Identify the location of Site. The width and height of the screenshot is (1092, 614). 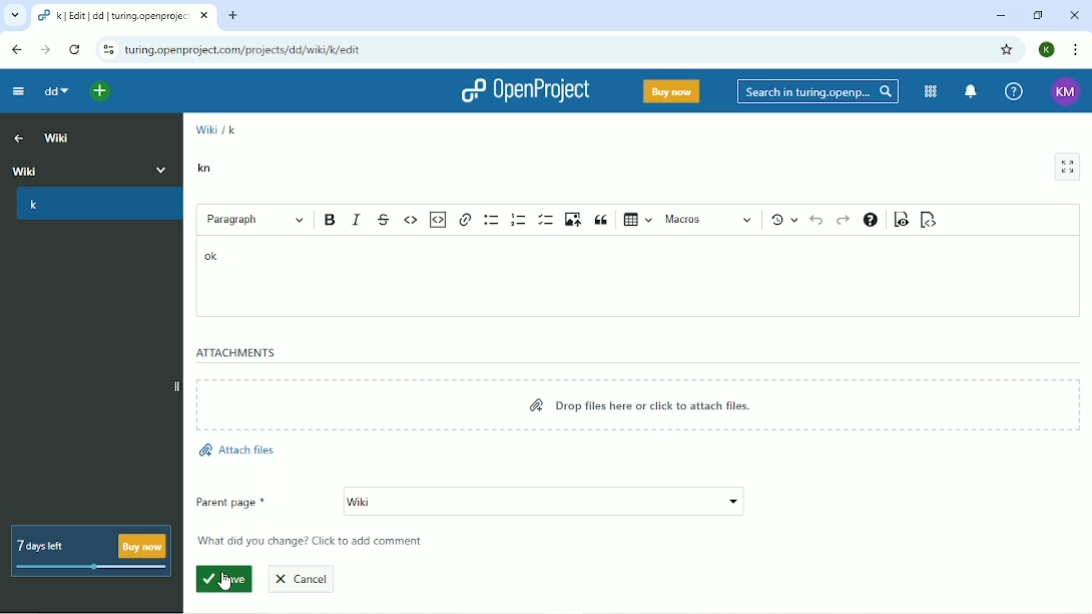
(246, 50).